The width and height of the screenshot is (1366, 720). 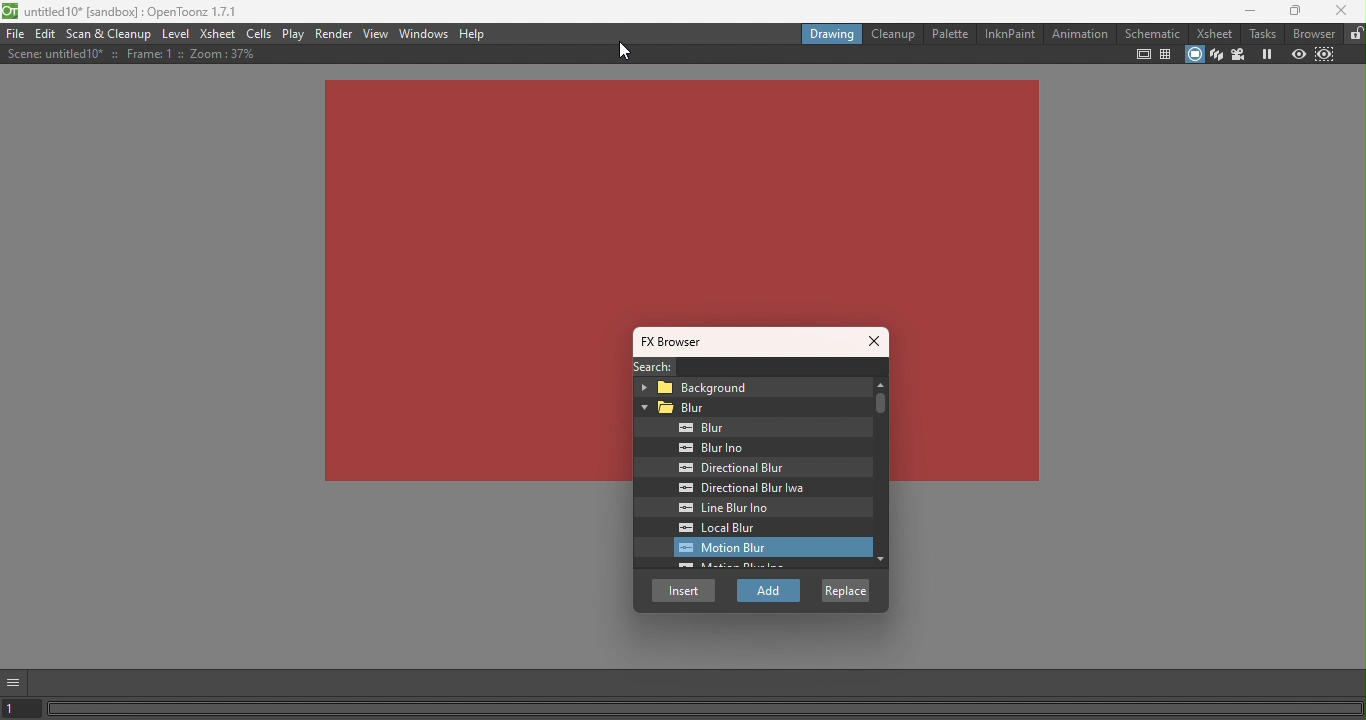 What do you see at coordinates (15, 34) in the screenshot?
I see `File` at bounding box center [15, 34].